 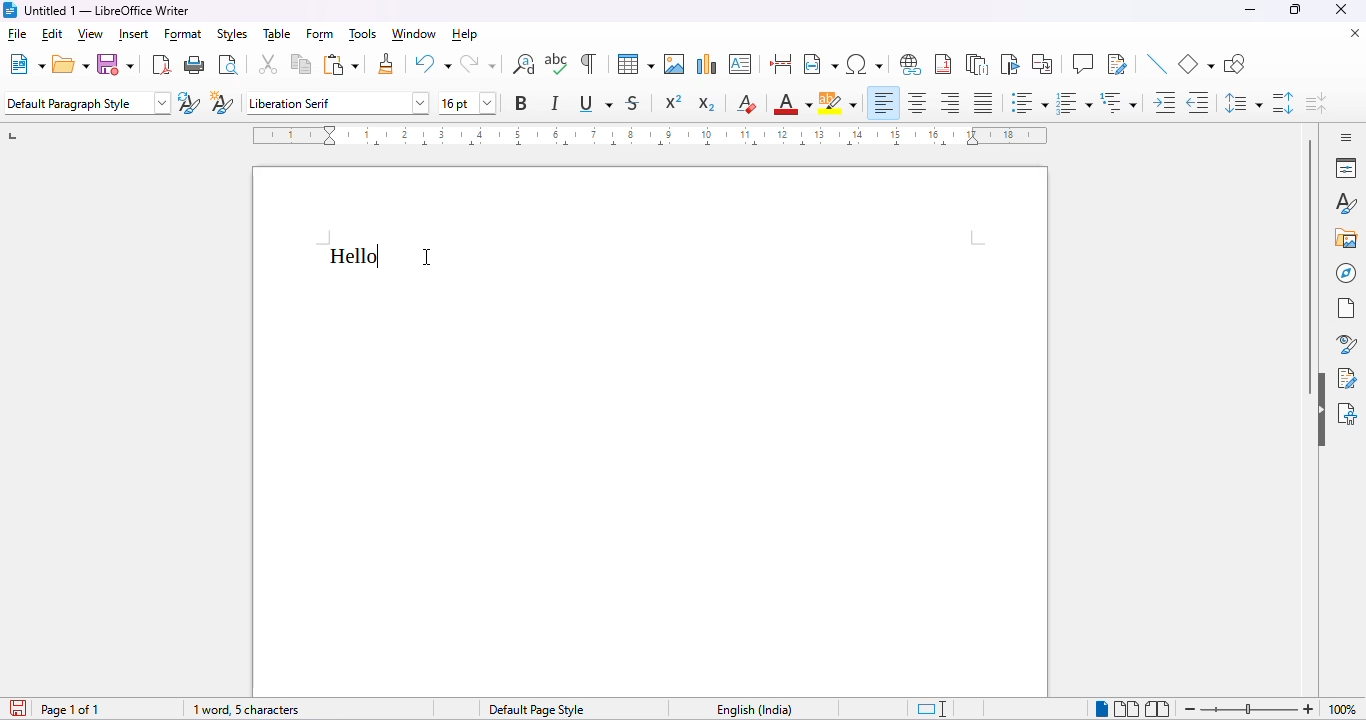 What do you see at coordinates (1074, 102) in the screenshot?
I see `toggle ordered list` at bounding box center [1074, 102].